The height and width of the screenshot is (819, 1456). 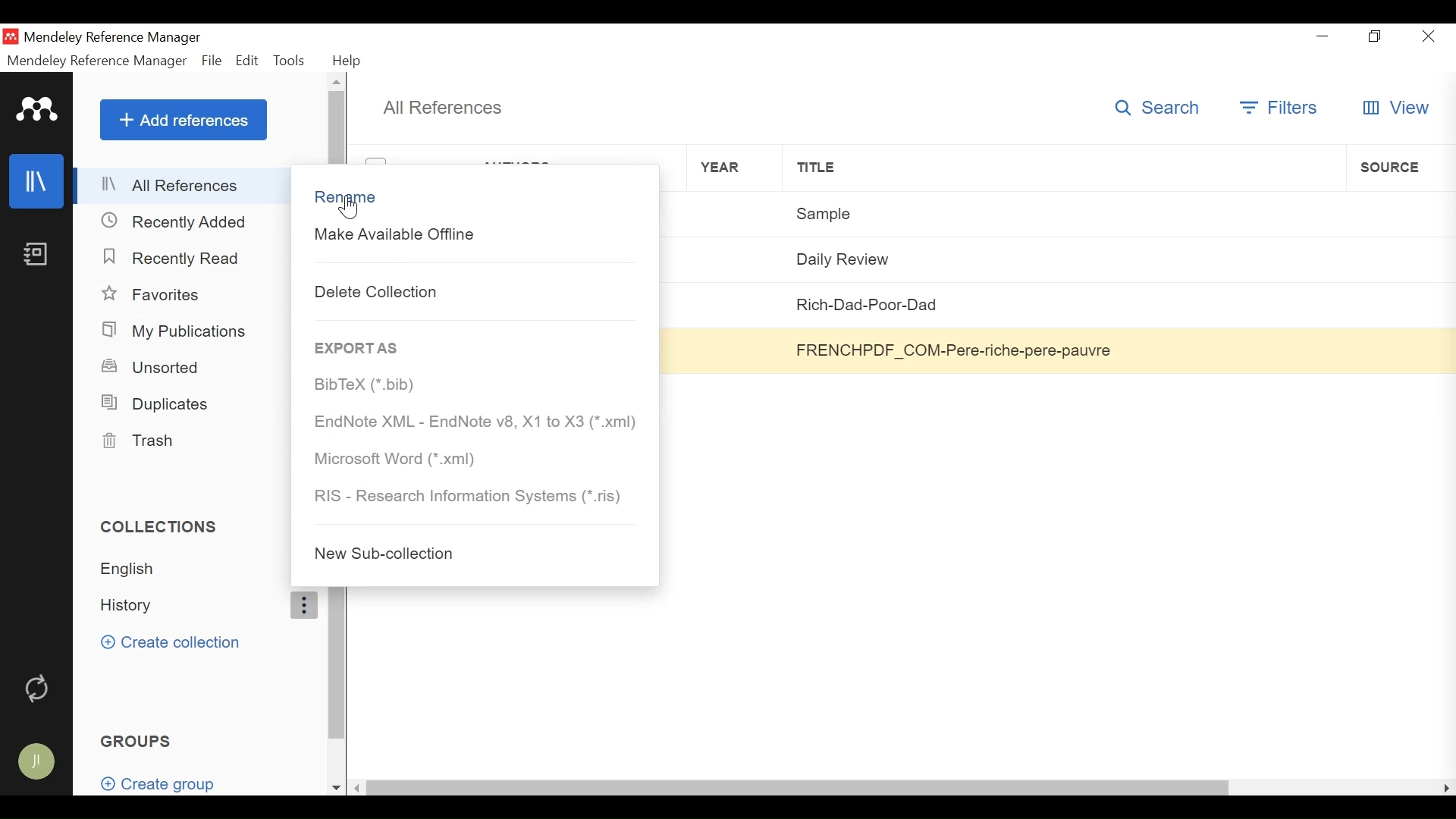 I want to click on Tools, so click(x=292, y=60).